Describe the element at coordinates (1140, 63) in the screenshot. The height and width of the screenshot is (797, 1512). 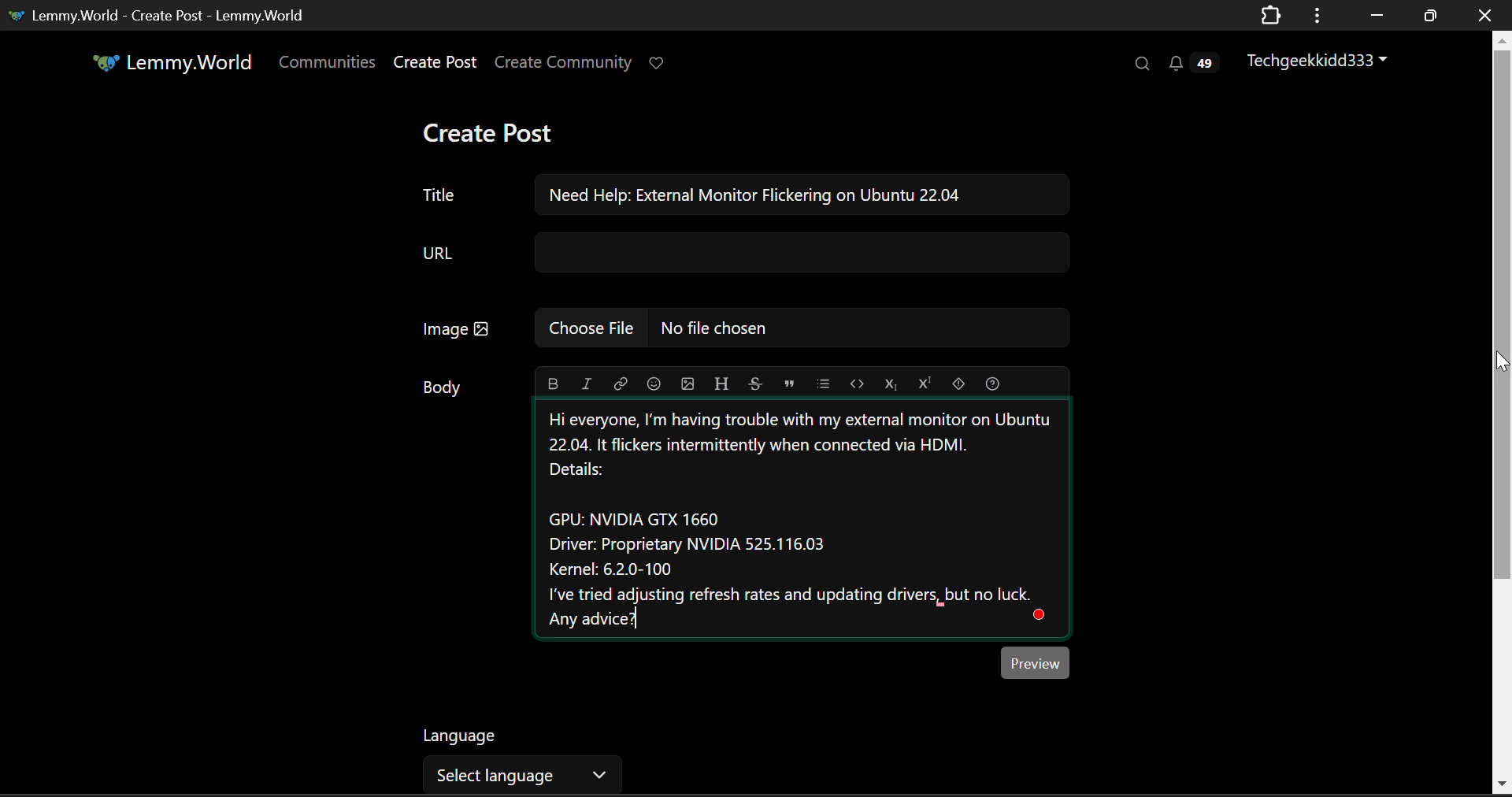
I see `Search` at that location.